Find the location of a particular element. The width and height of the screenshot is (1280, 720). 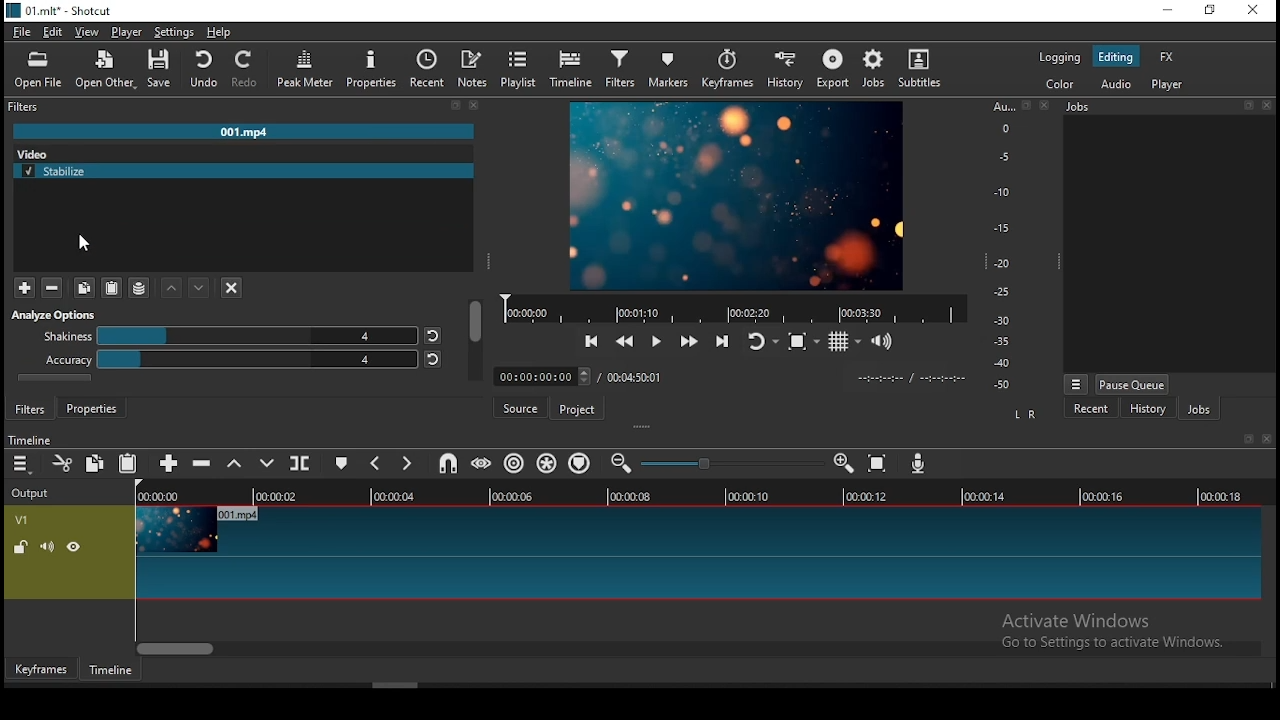

ripple is located at coordinates (518, 462).